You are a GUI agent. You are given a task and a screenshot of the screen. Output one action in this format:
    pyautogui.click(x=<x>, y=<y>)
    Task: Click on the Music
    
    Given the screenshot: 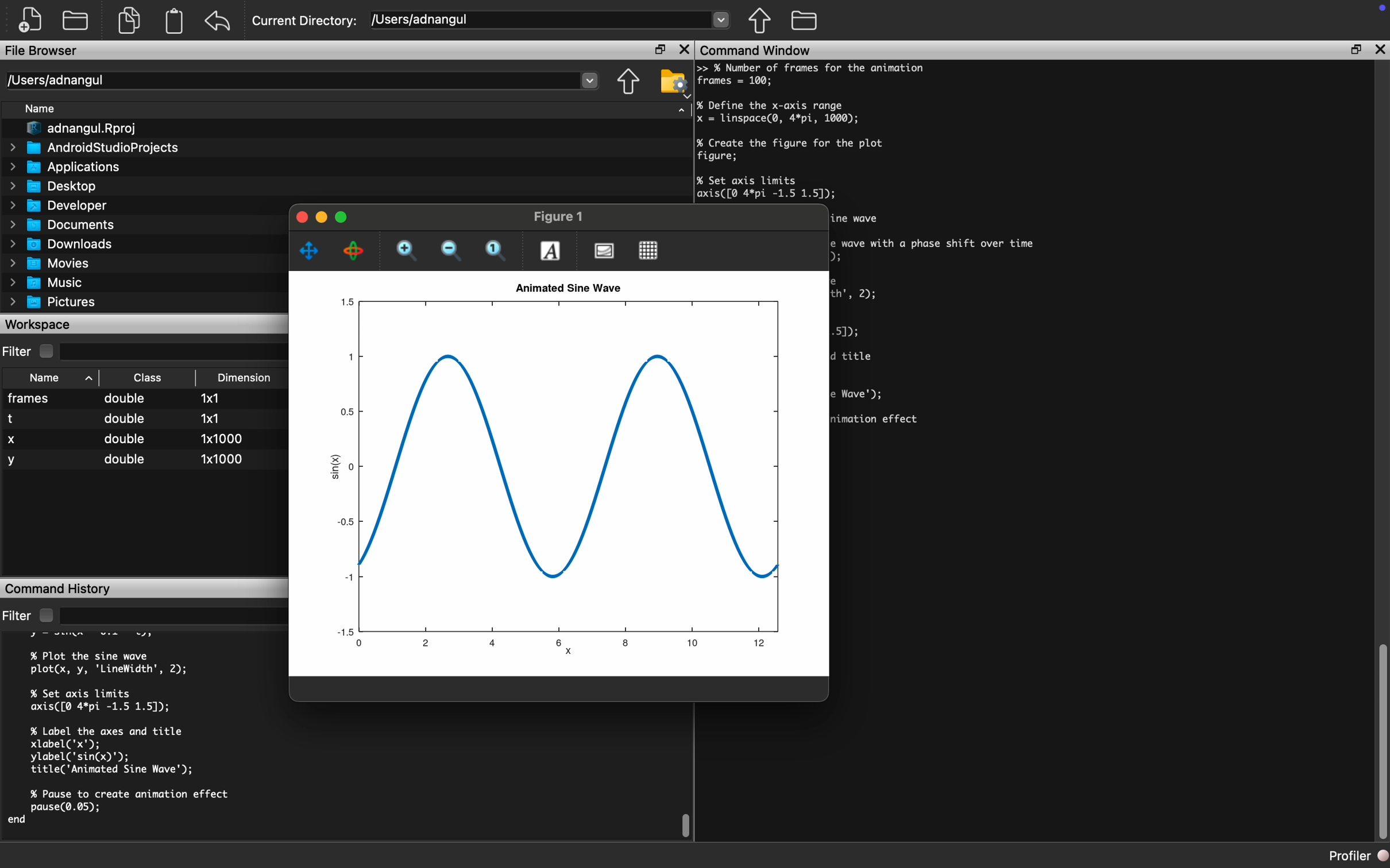 What is the action you would take?
    pyautogui.click(x=45, y=282)
    